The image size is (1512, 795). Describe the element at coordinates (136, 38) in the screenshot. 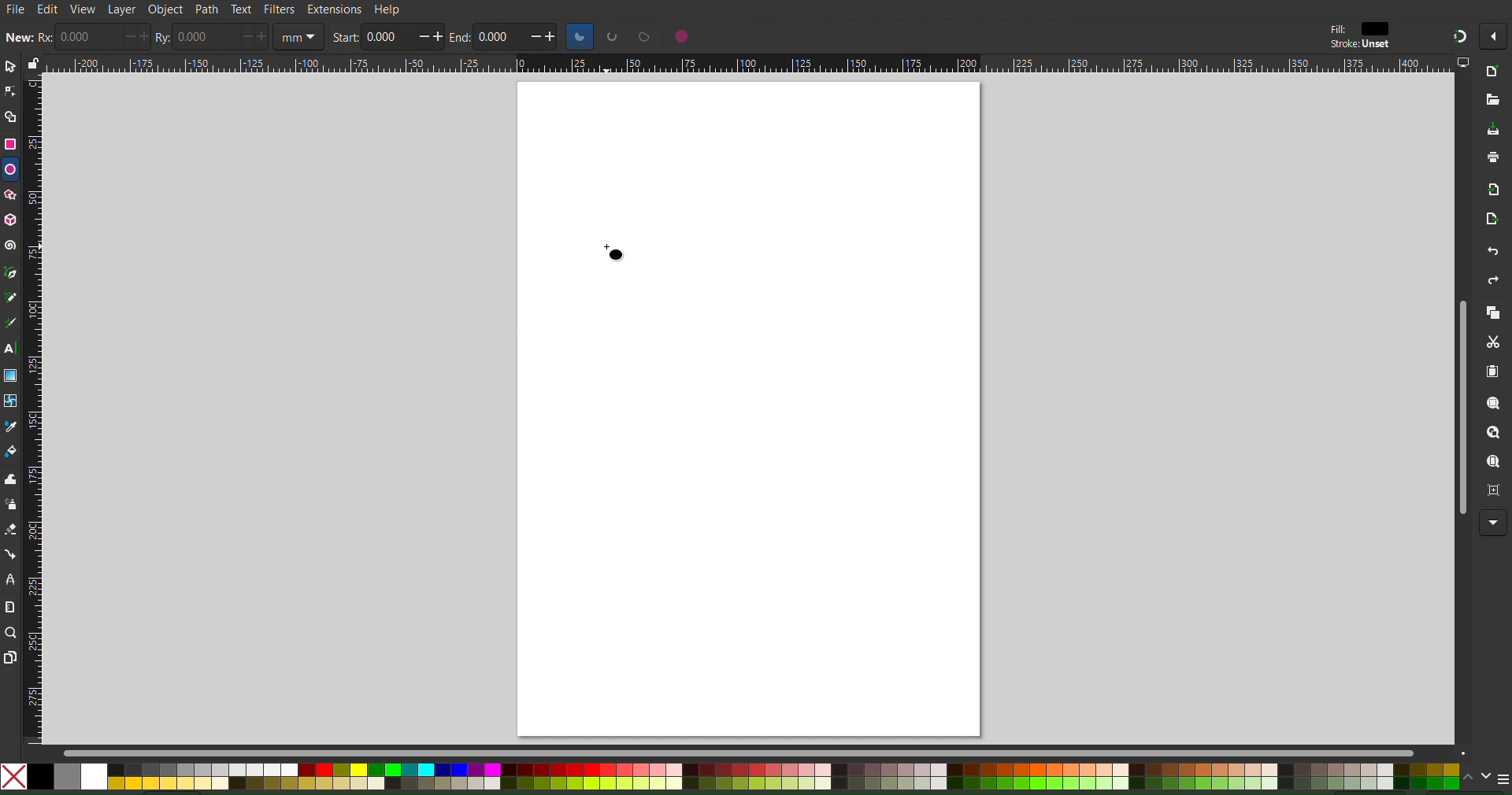

I see `increase/decrease` at that location.